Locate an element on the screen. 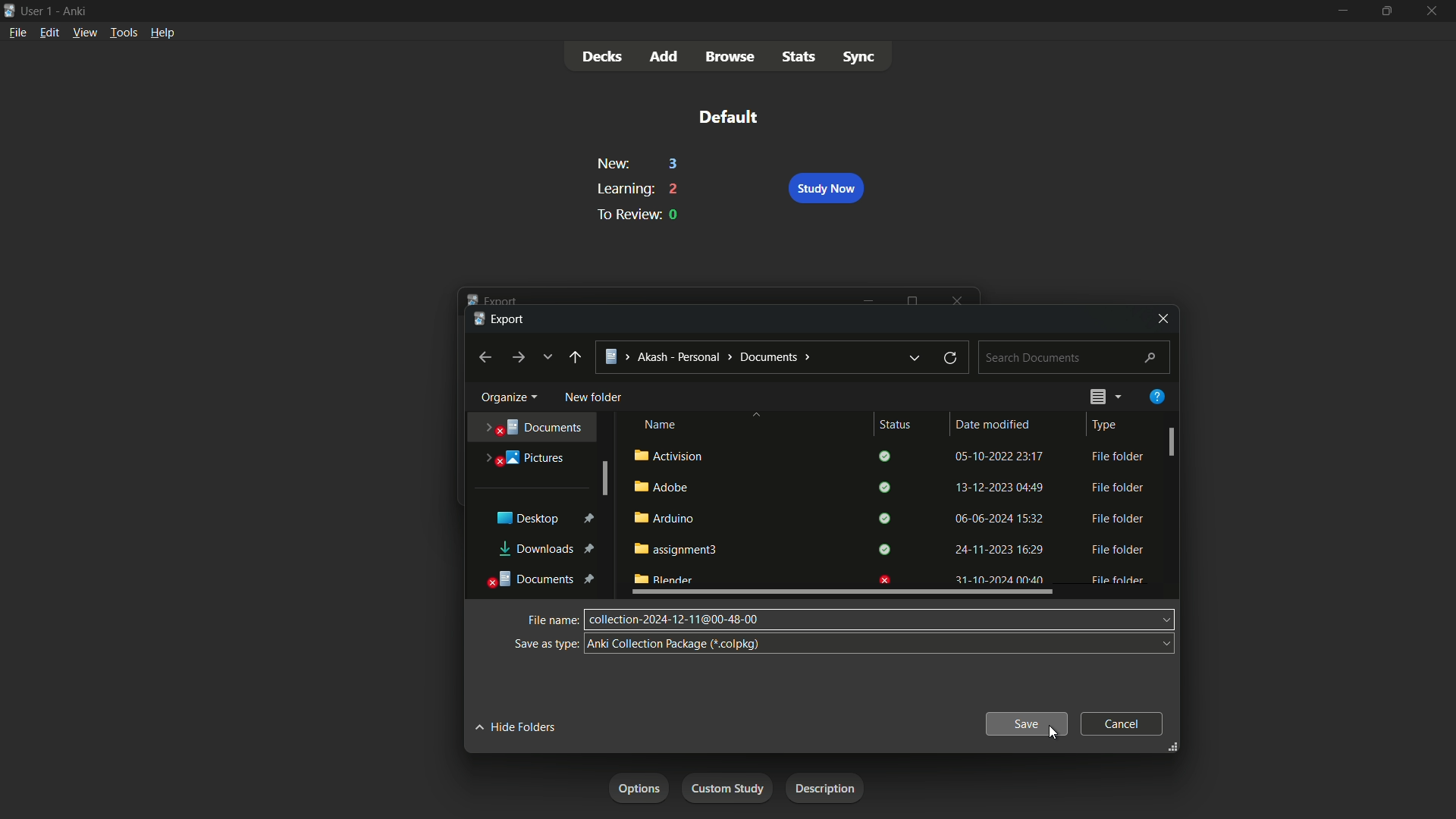 This screenshot has height=819, width=1456. restore is located at coordinates (950, 356).